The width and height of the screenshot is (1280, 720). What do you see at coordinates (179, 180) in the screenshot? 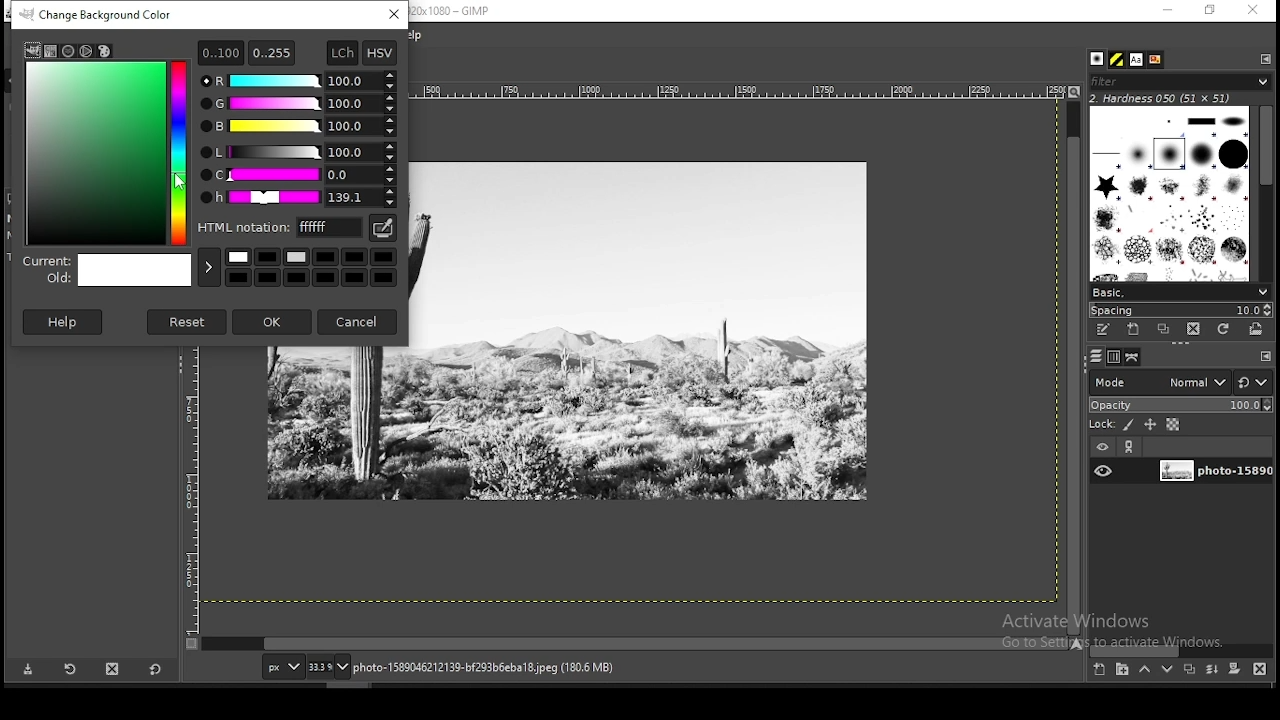
I see `mouse pointer` at bounding box center [179, 180].